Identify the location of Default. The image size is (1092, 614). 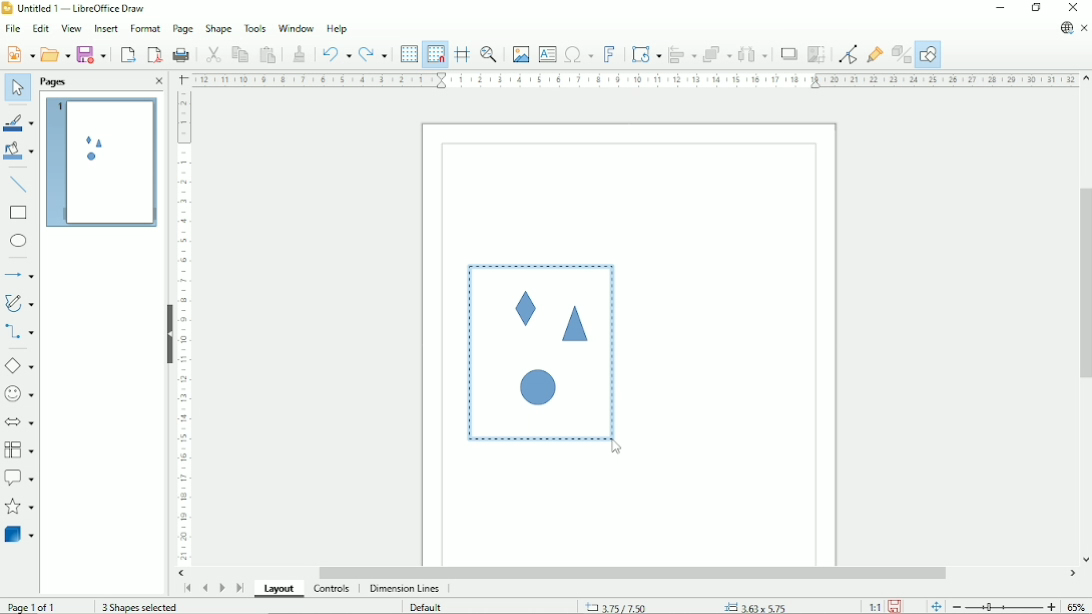
(425, 607).